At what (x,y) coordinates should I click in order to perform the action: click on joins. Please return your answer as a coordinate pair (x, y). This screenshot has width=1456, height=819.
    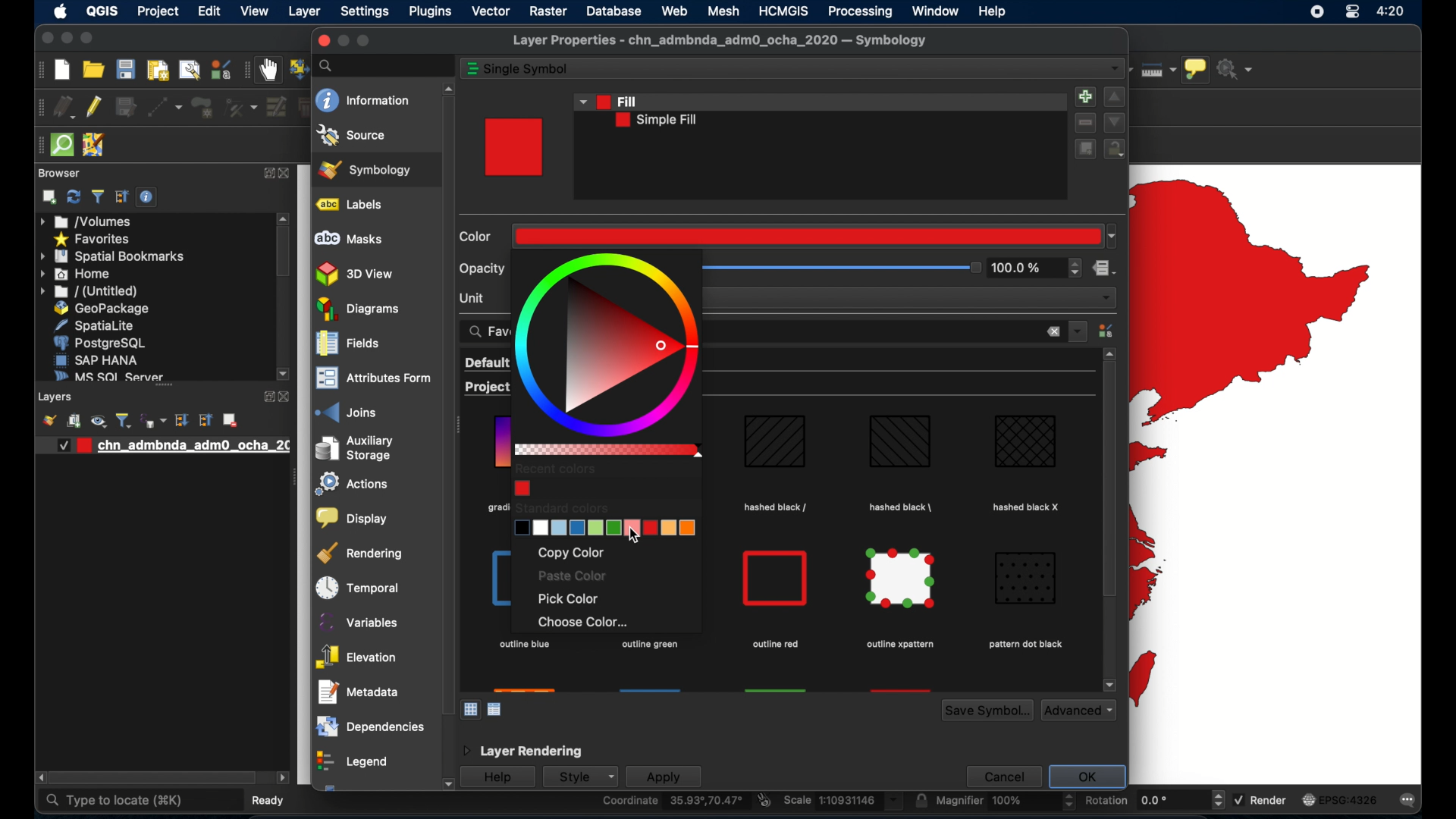
    Looking at the image, I should click on (347, 412).